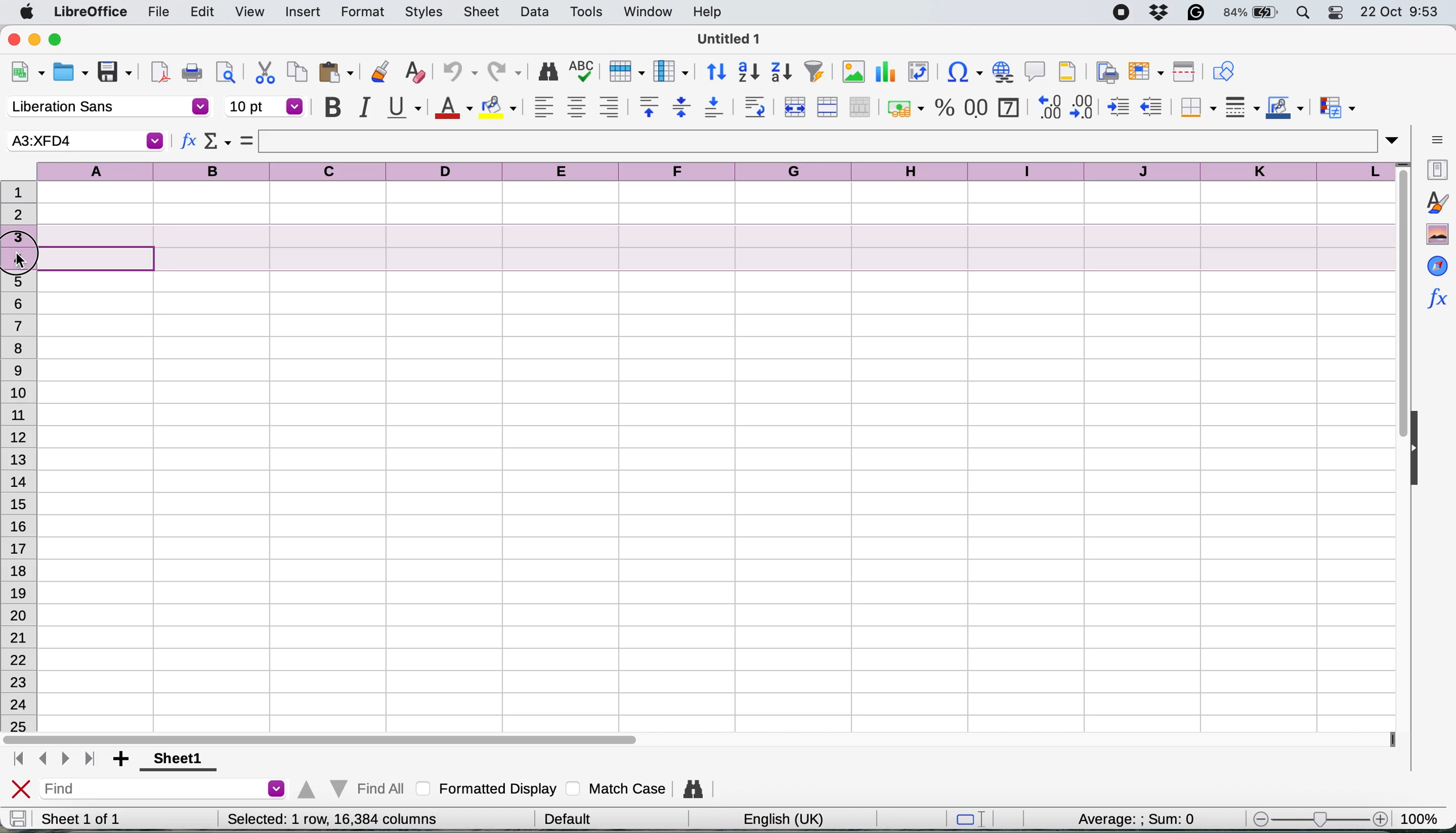 The height and width of the screenshot is (833, 1456). I want to click on insert chart, so click(884, 74).